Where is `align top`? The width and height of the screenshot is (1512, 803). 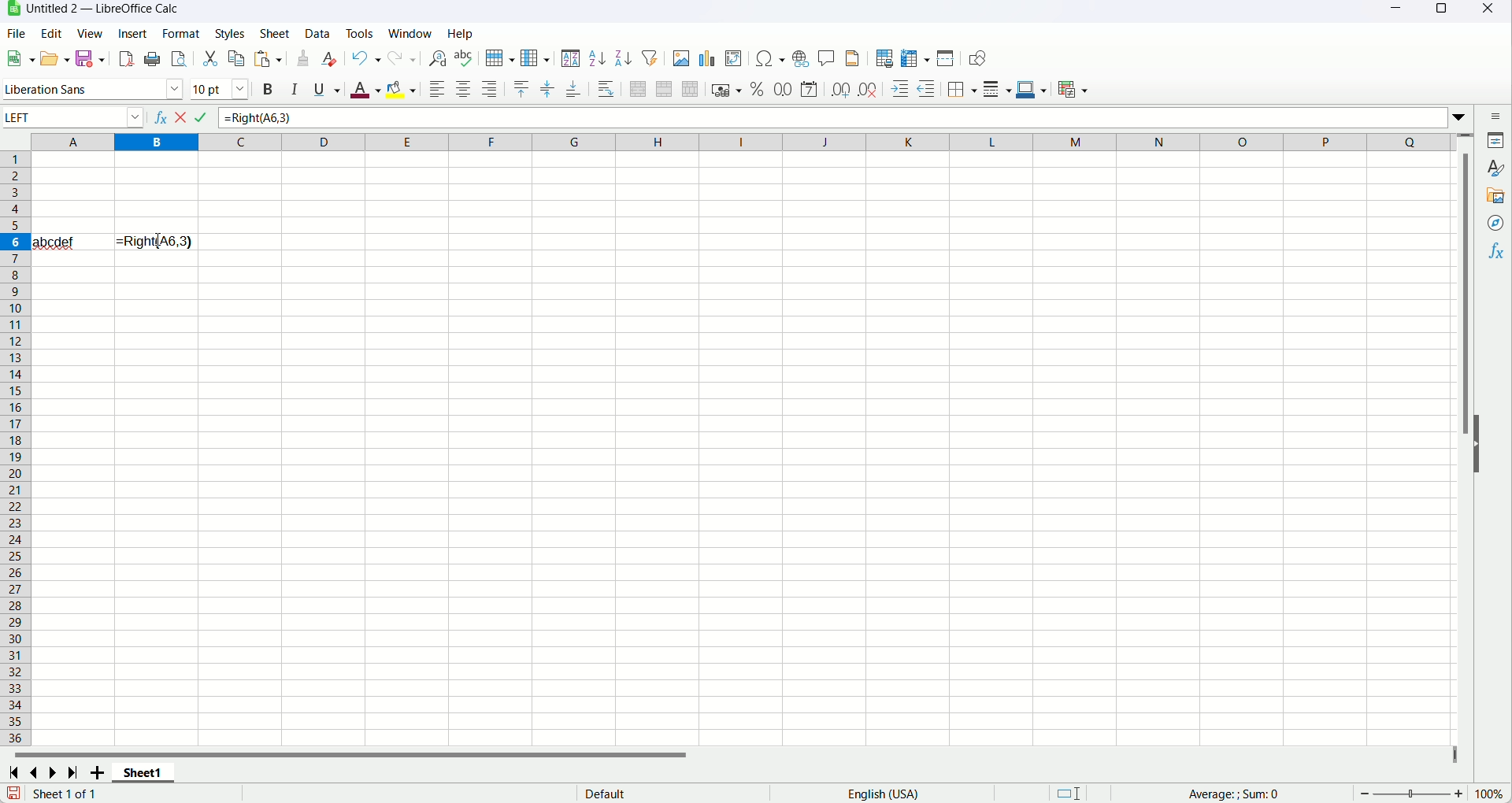 align top is located at coordinates (522, 89).